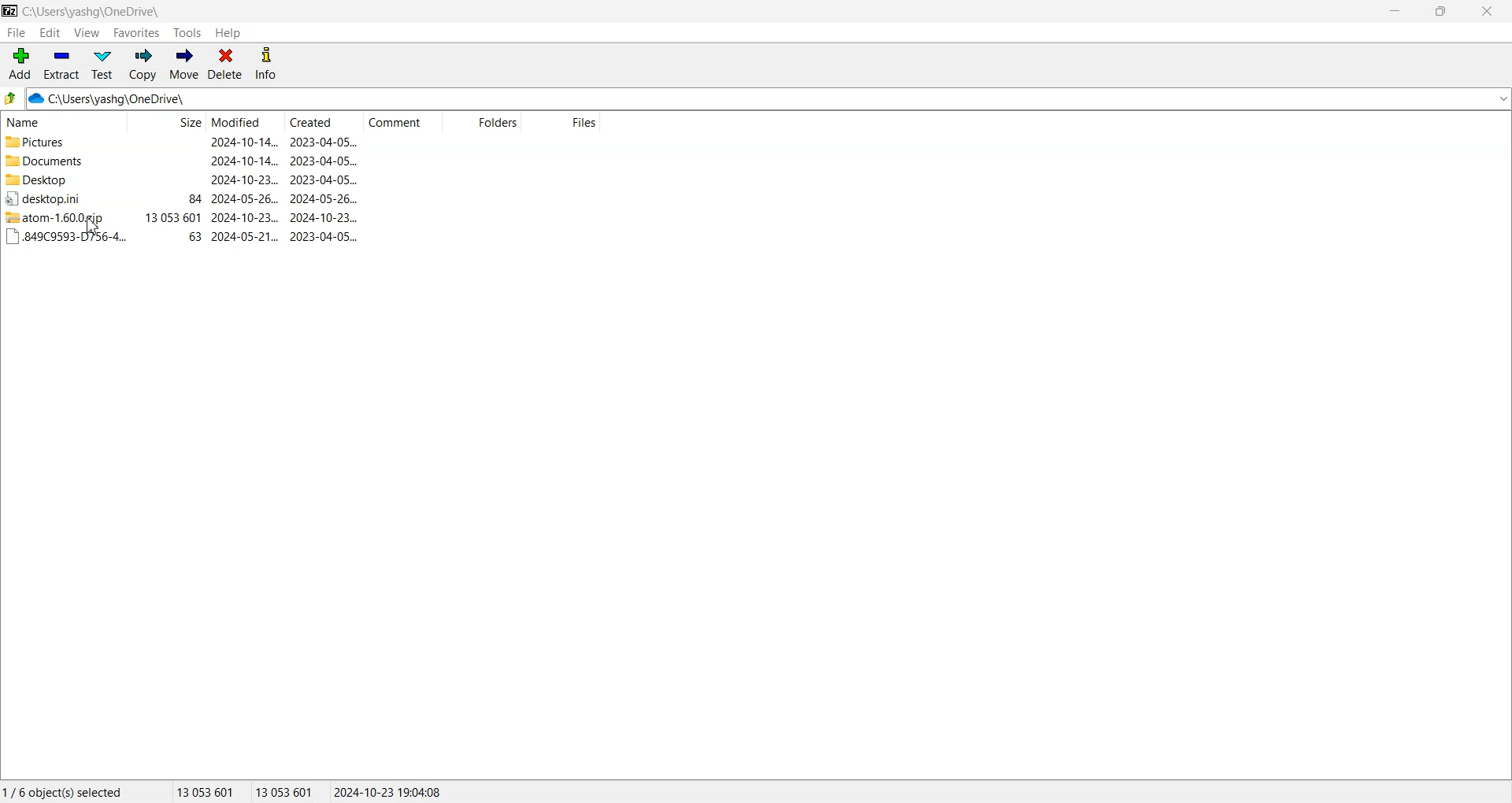  I want to click on 2024-05-26, so click(324, 198).